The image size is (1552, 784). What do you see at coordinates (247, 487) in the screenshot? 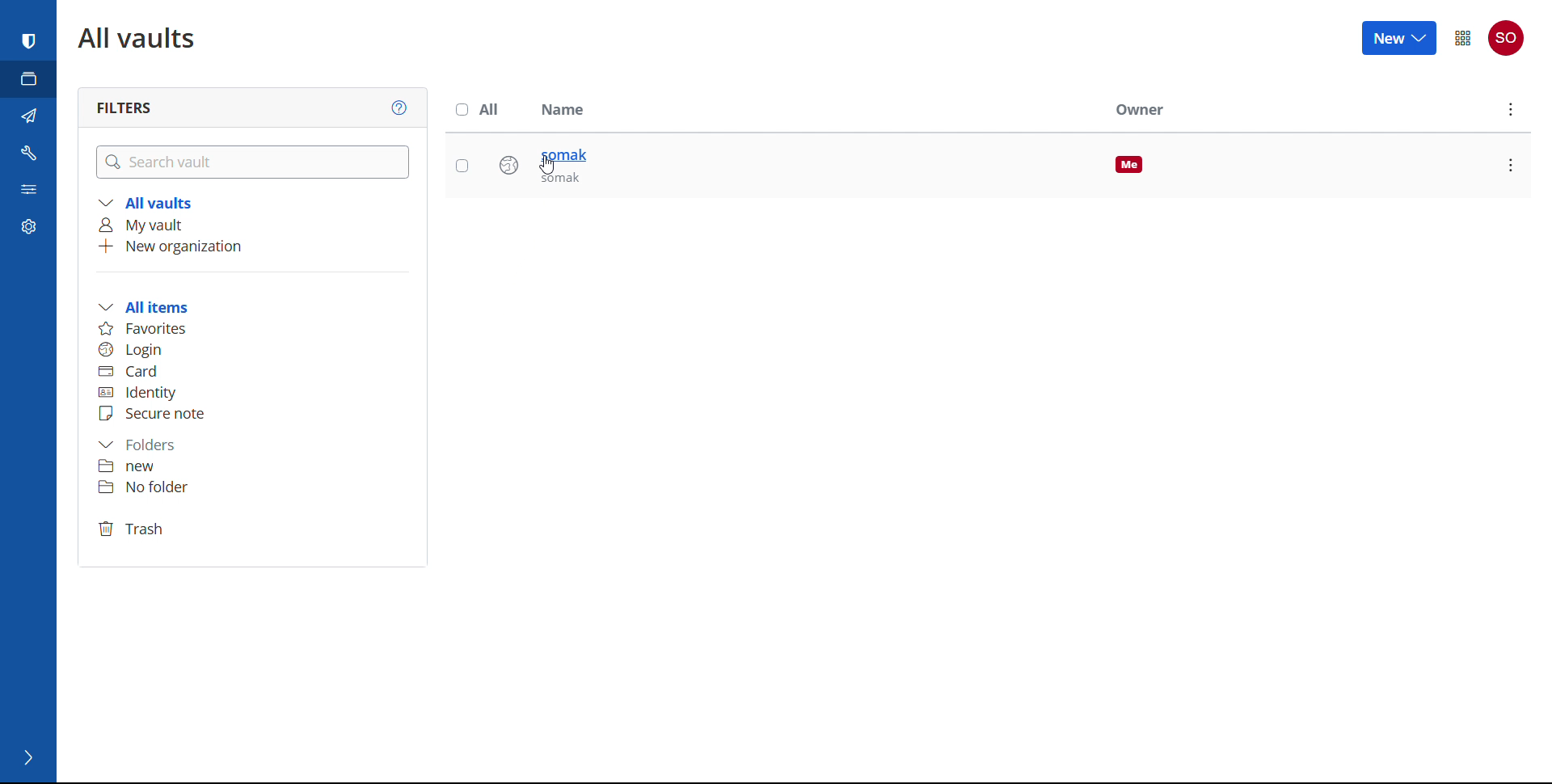
I see `folder 2` at bounding box center [247, 487].